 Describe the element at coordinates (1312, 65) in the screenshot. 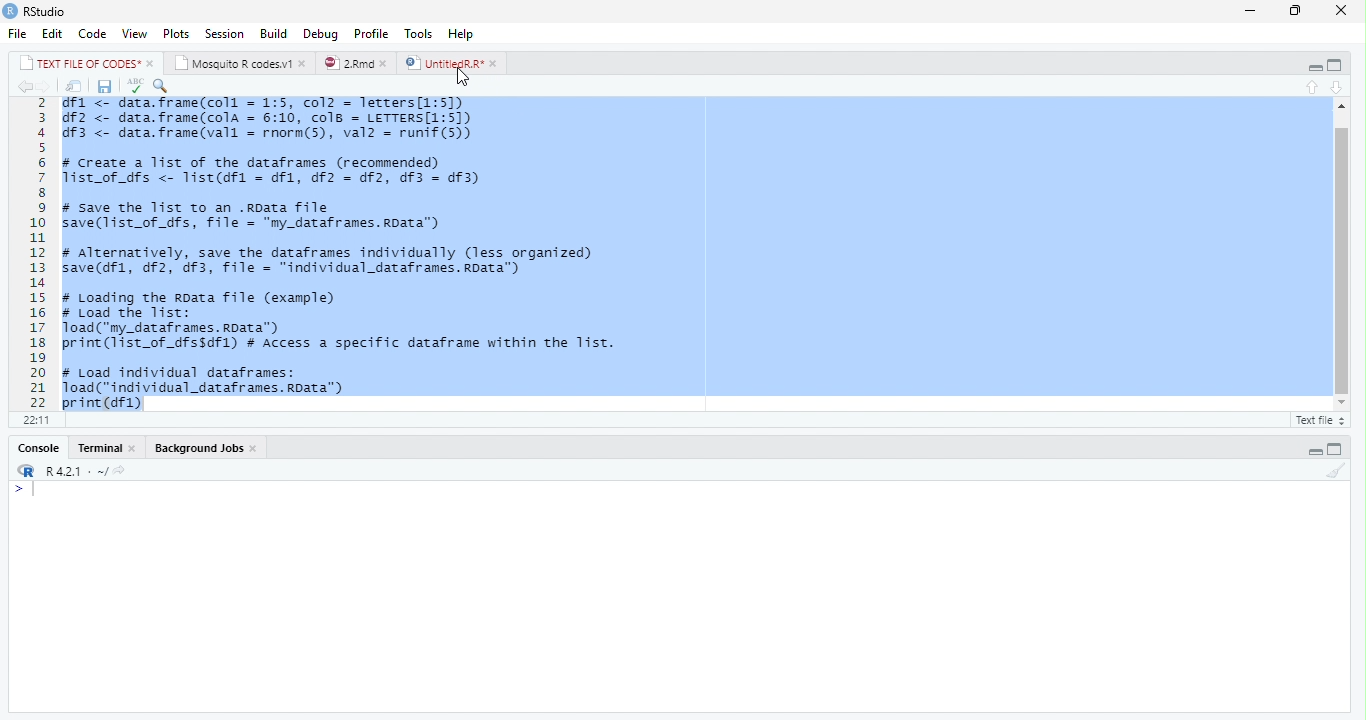

I see `Hide` at that location.